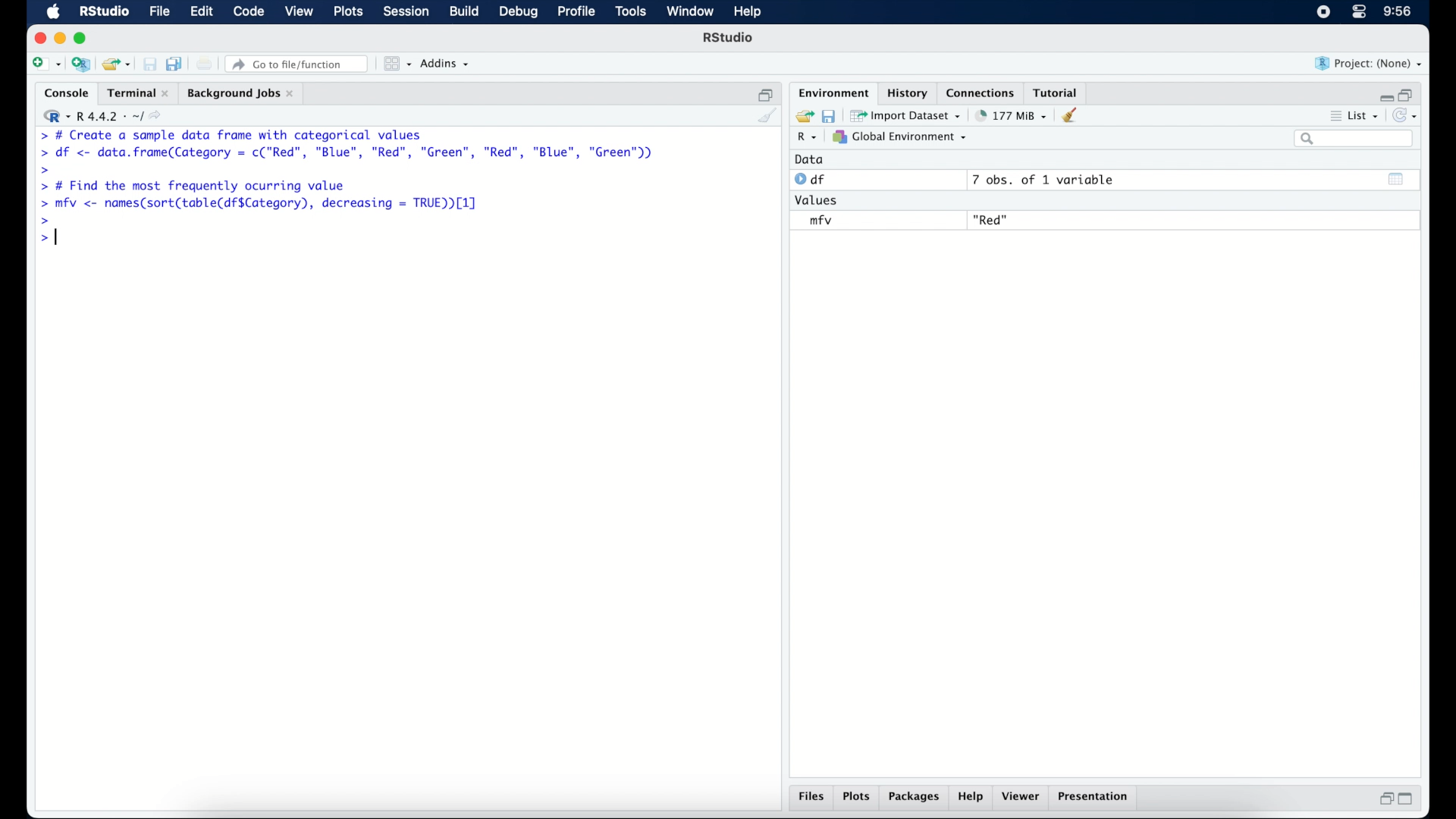  I want to click on print, so click(205, 64).